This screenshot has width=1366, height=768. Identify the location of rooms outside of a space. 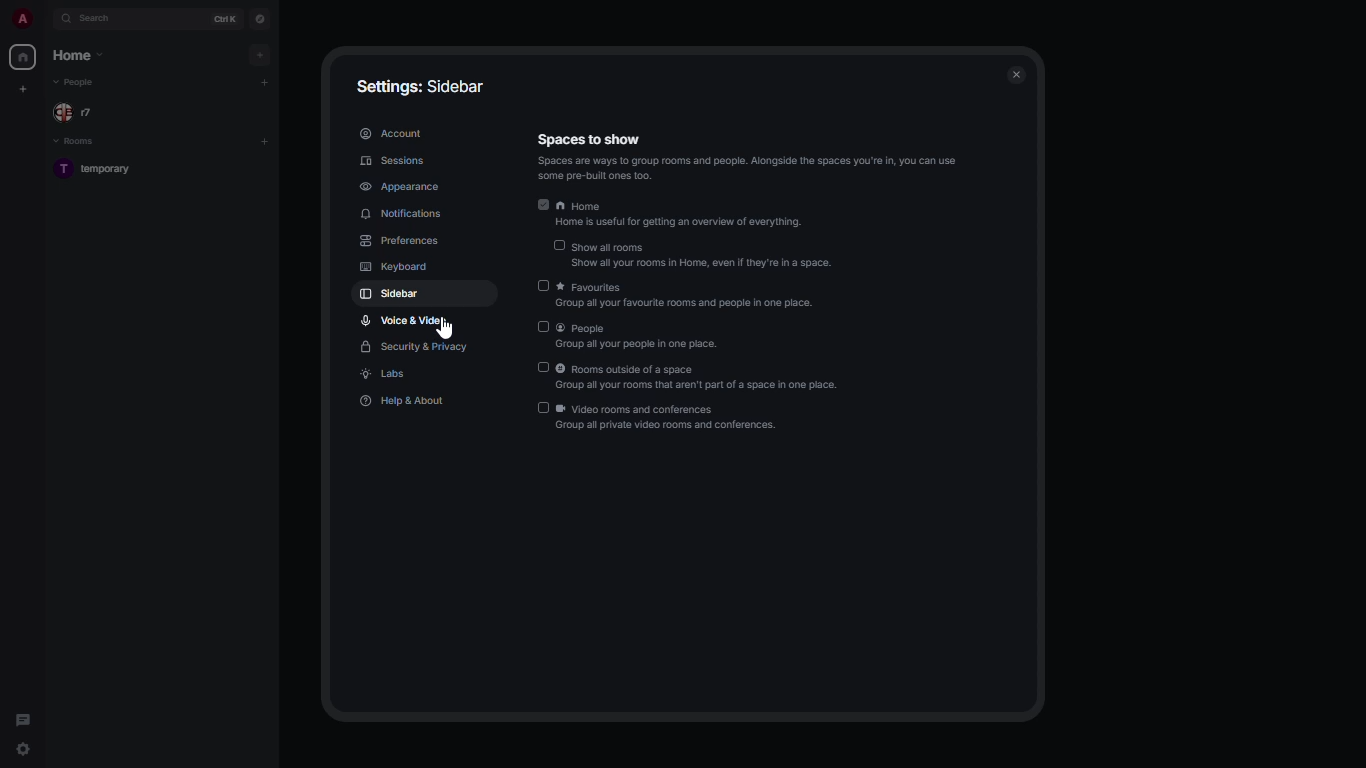
(690, 368).